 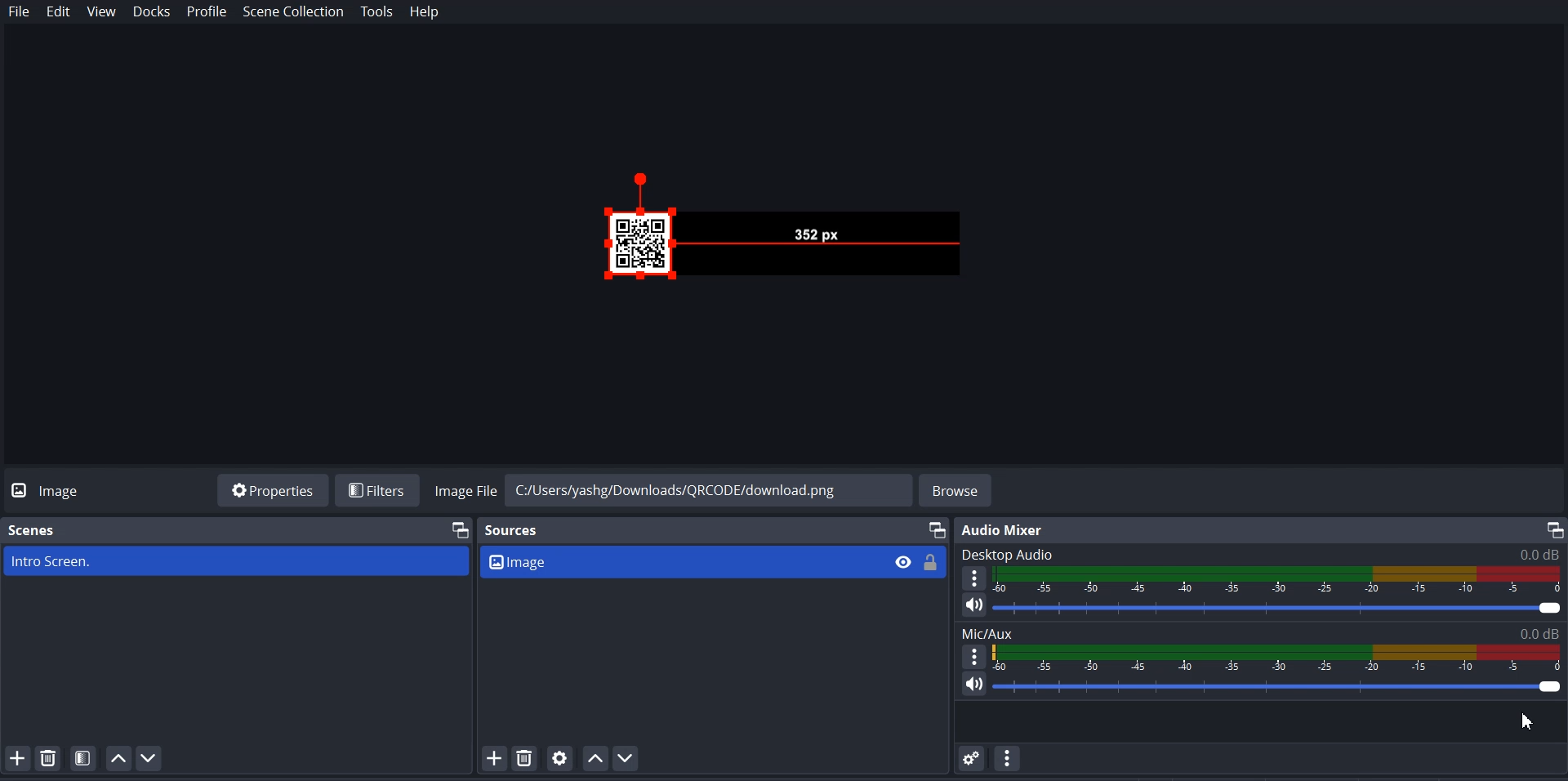 What do you see at coordinates (902, 561) in the screenshot?
I see `Eye` at bounding box center [902, 561].